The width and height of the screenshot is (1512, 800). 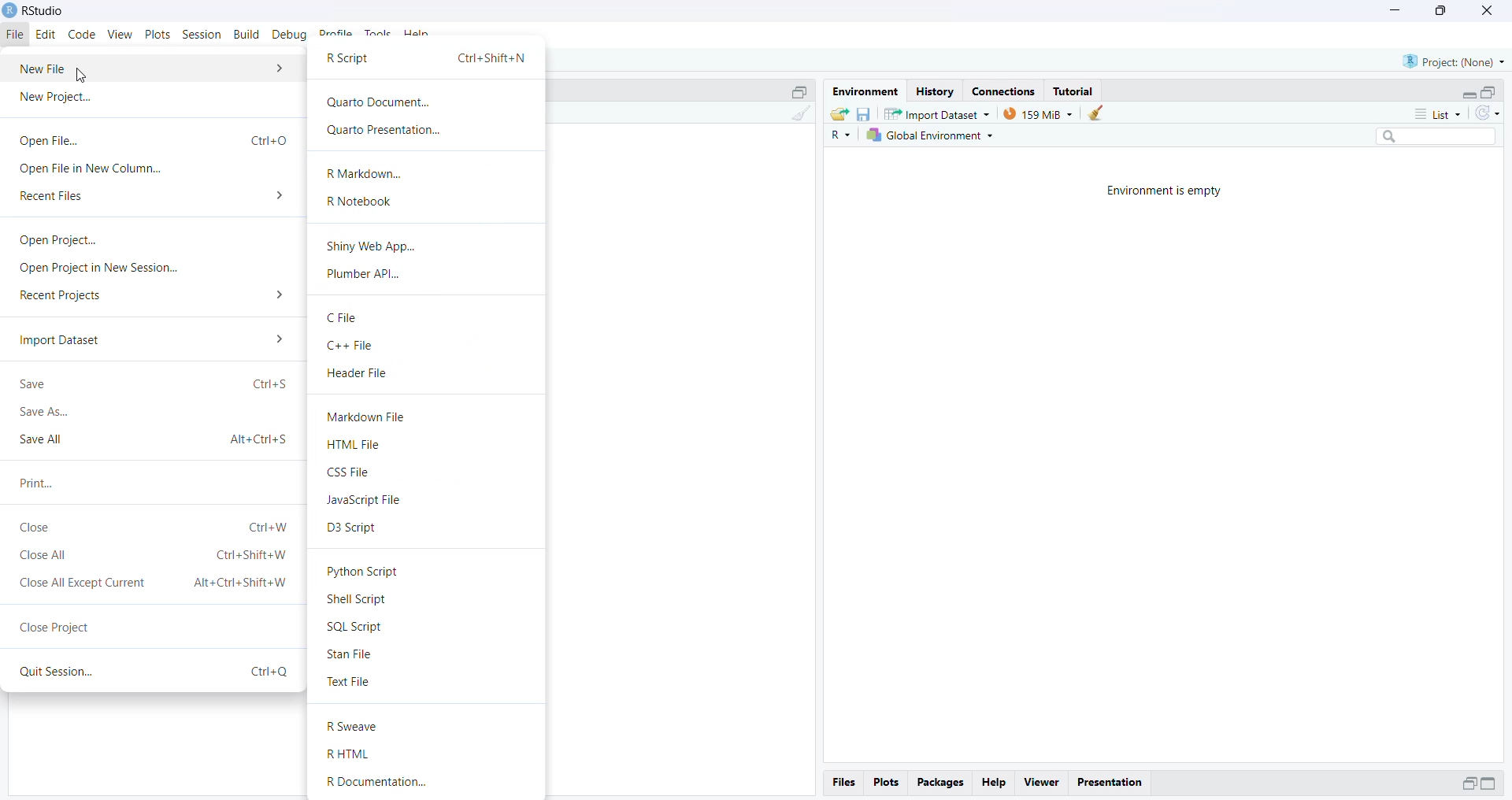 I want to click on HTML File, so click(x=355, y=445).